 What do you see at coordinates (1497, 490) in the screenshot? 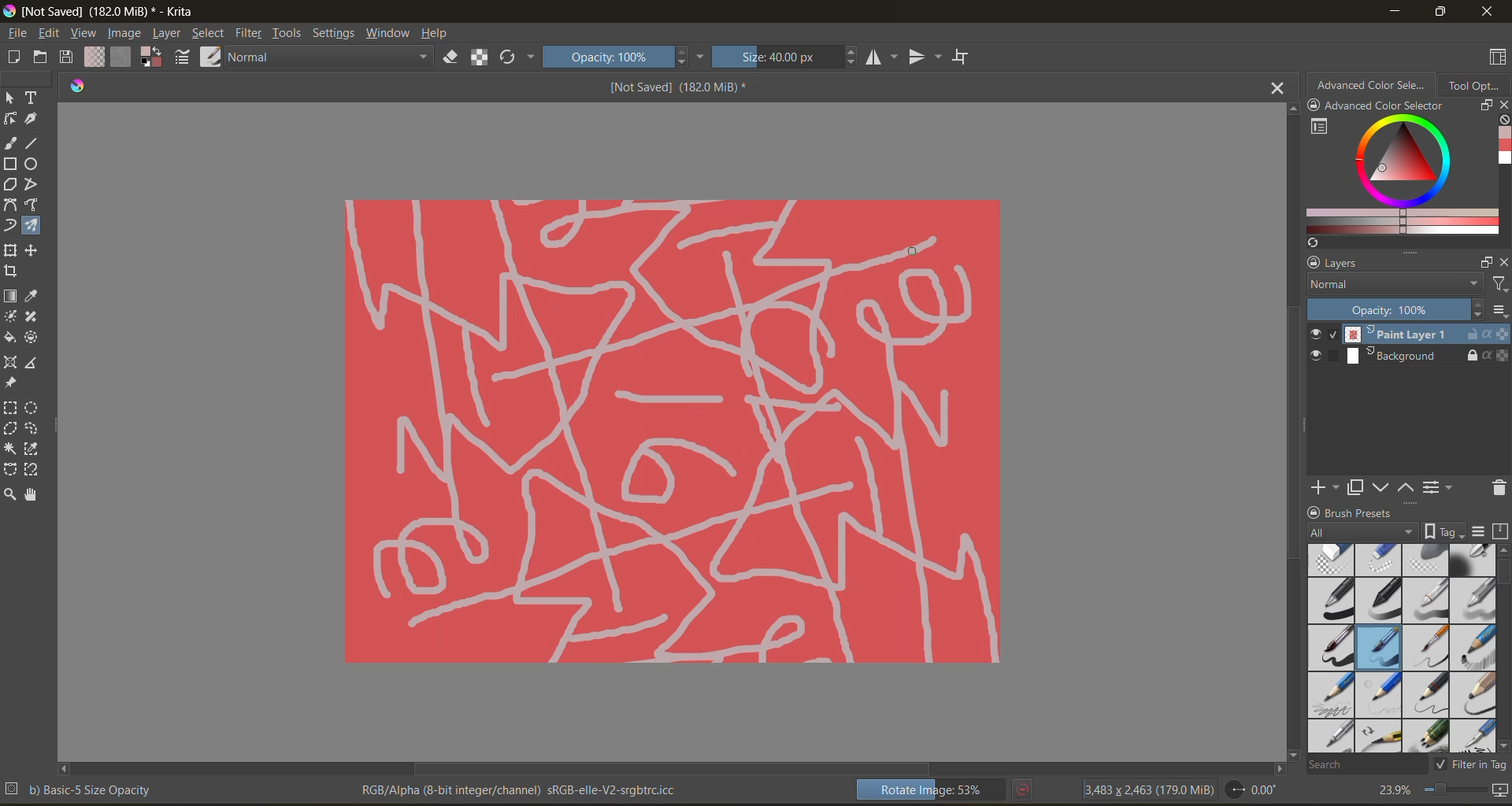
I see `delete layer` at bounding box center [1497, 490].